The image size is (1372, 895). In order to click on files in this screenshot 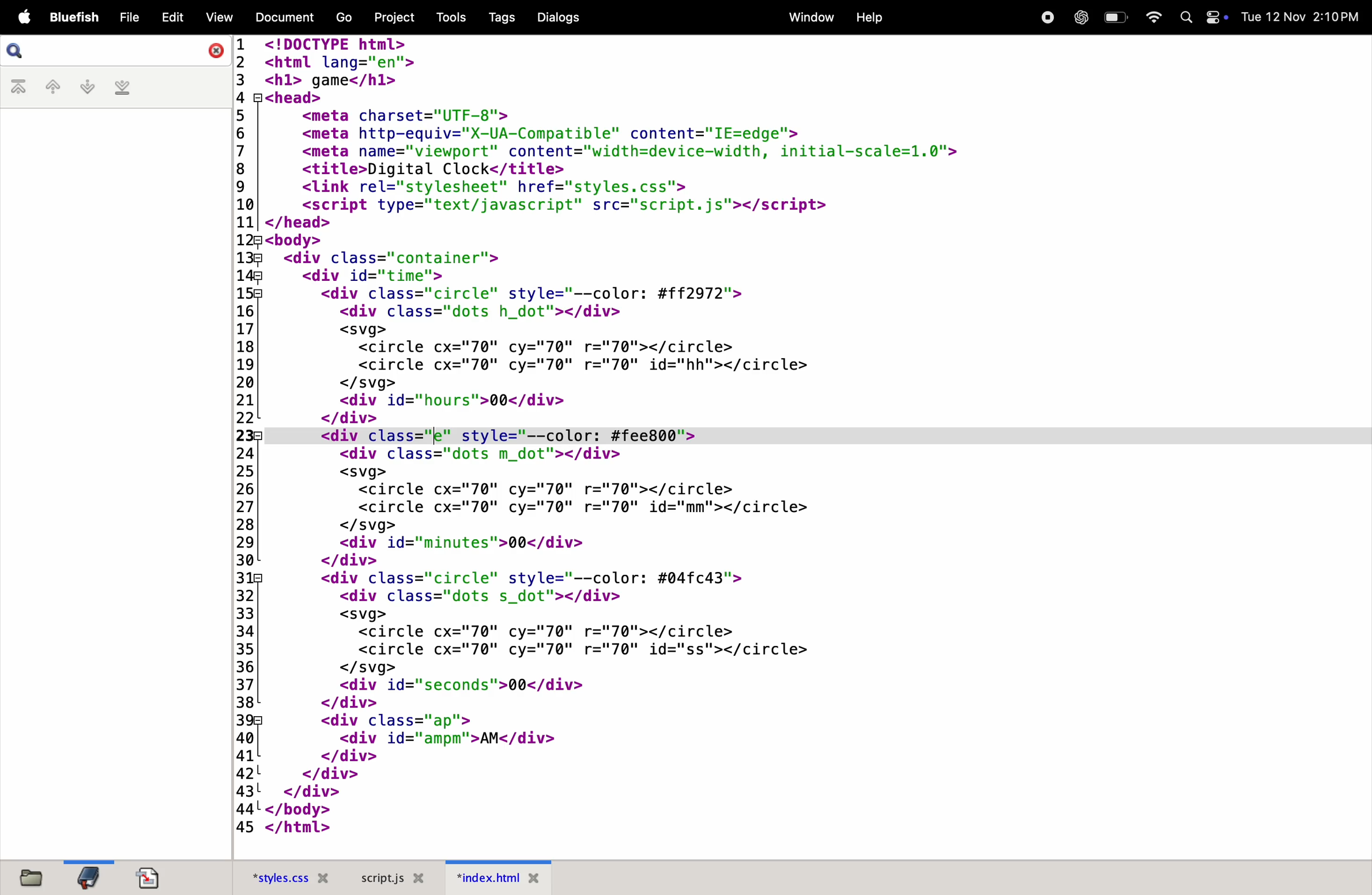, I will do `click(29, 876)`.